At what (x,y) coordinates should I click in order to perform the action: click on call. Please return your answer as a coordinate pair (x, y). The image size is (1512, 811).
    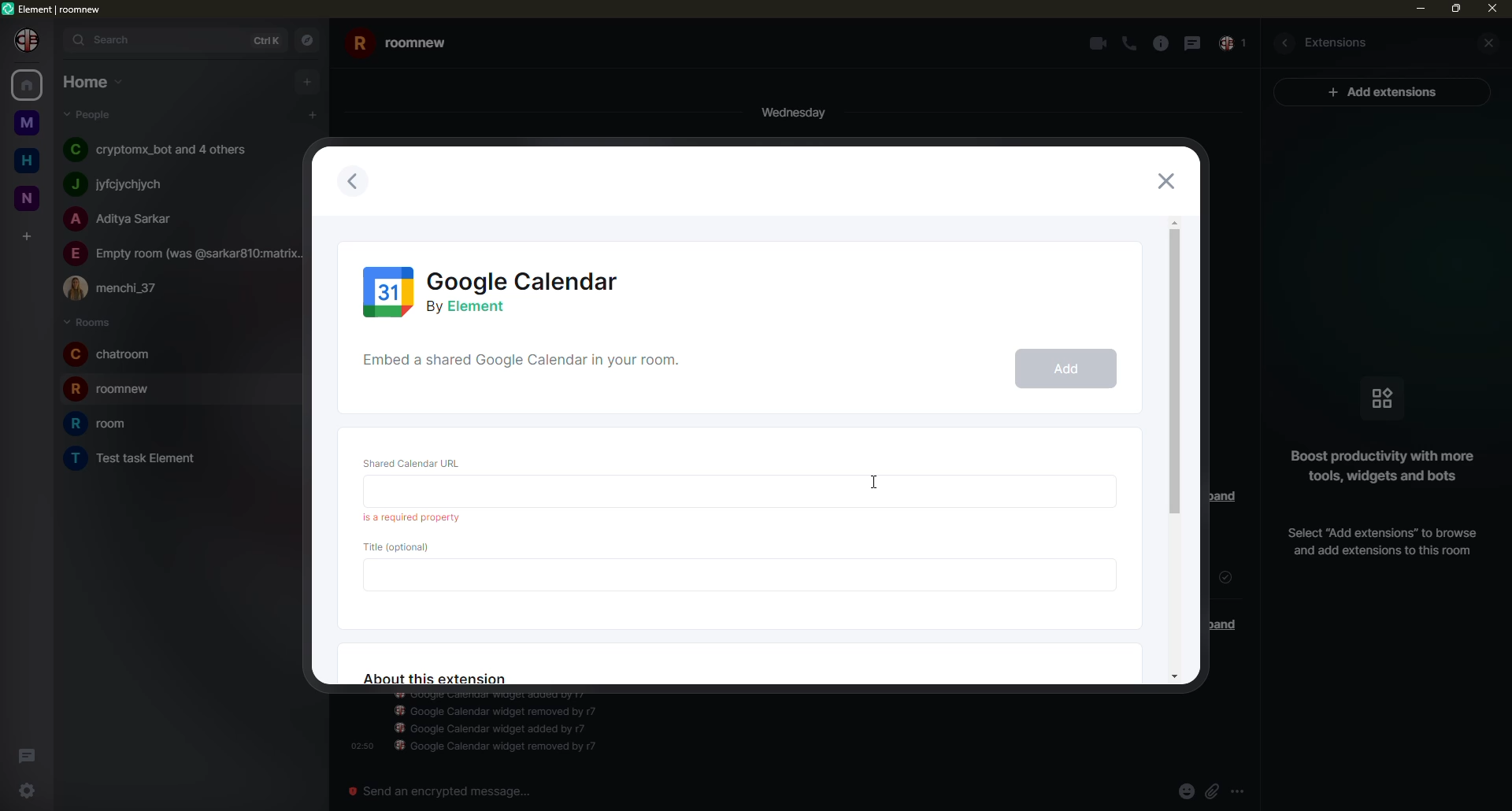
    Looking at the image, I should click on (1130, 44).